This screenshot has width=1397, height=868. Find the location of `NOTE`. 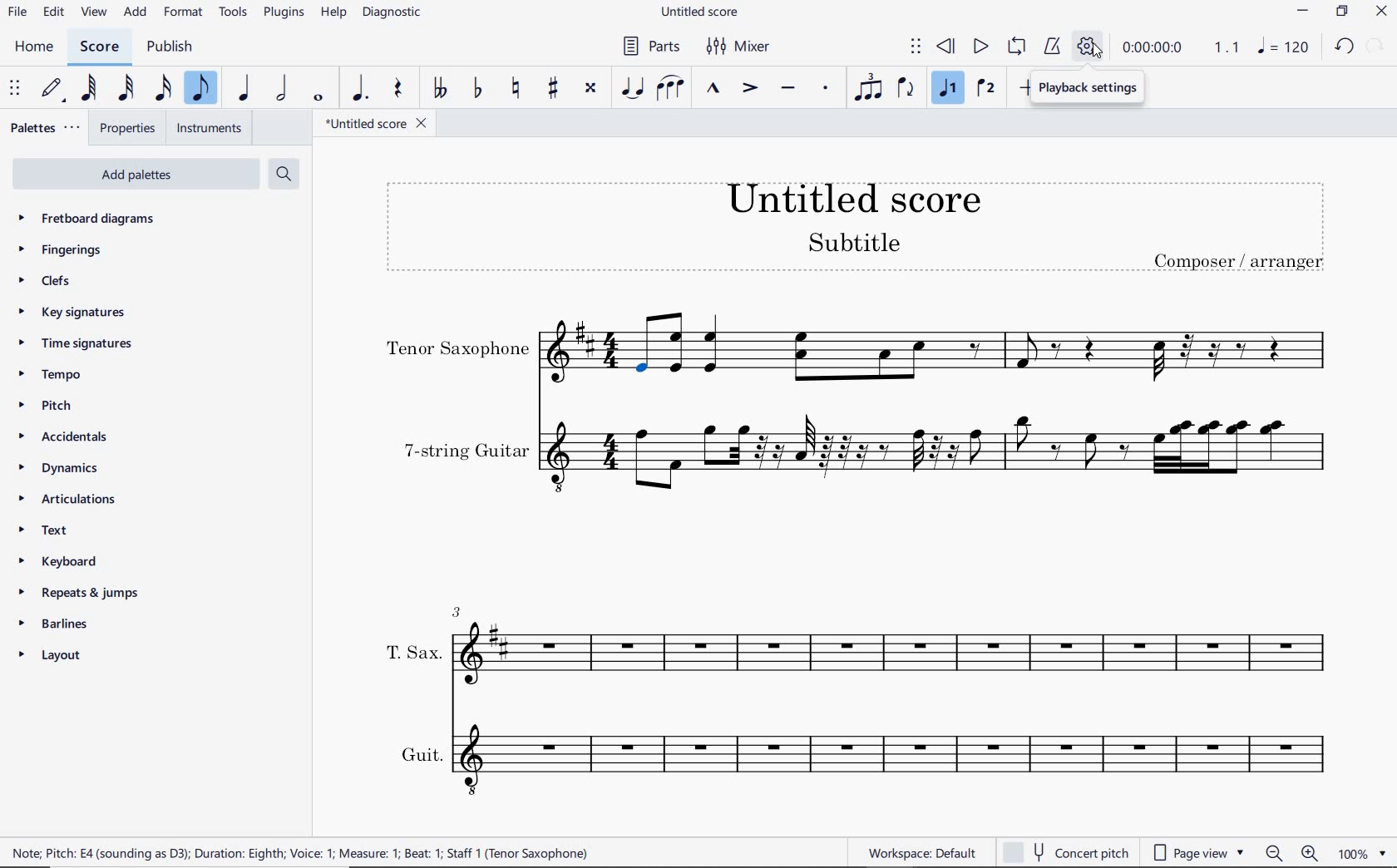

NOTE is located at coordinates (1284, 47).